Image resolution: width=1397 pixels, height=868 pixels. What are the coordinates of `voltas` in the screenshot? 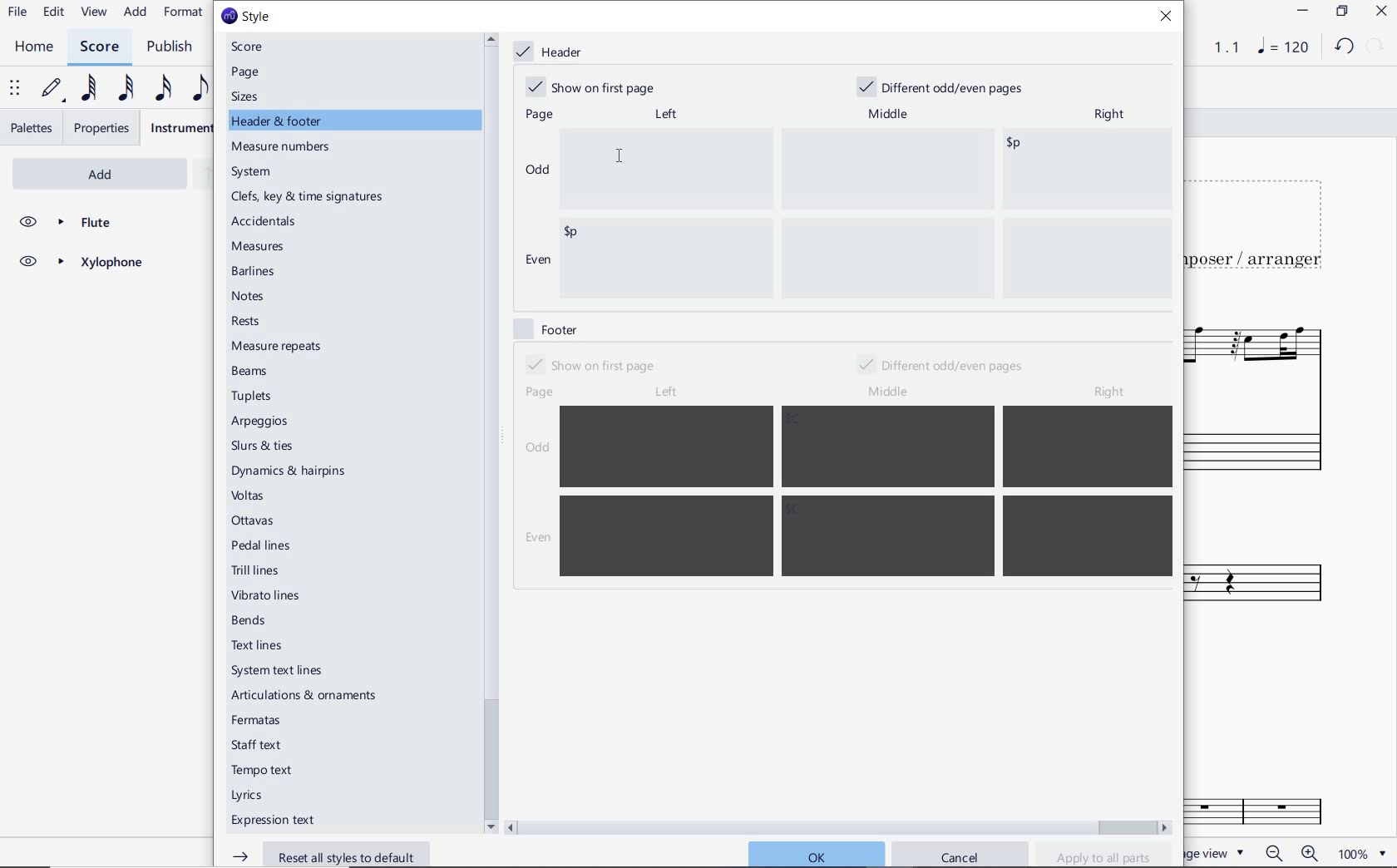 It's located at (249, 496).